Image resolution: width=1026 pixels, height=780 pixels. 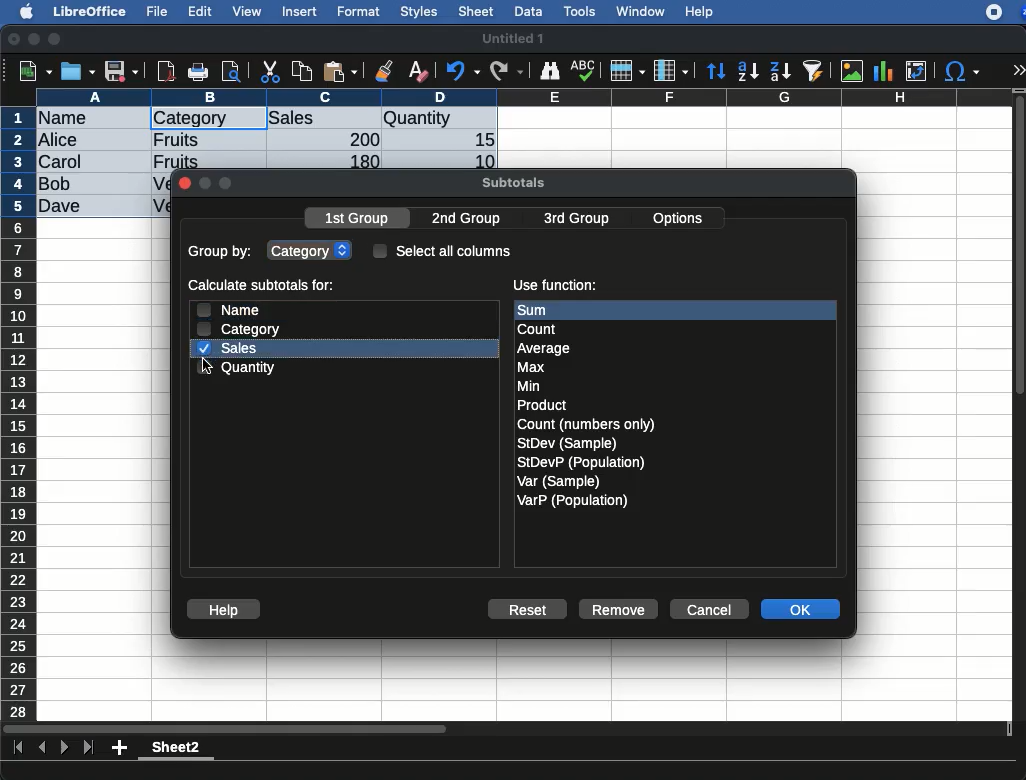 What do you see at coordinates (626, 71) in the screenshot?
I see `row` at bounding box center [626, 71].